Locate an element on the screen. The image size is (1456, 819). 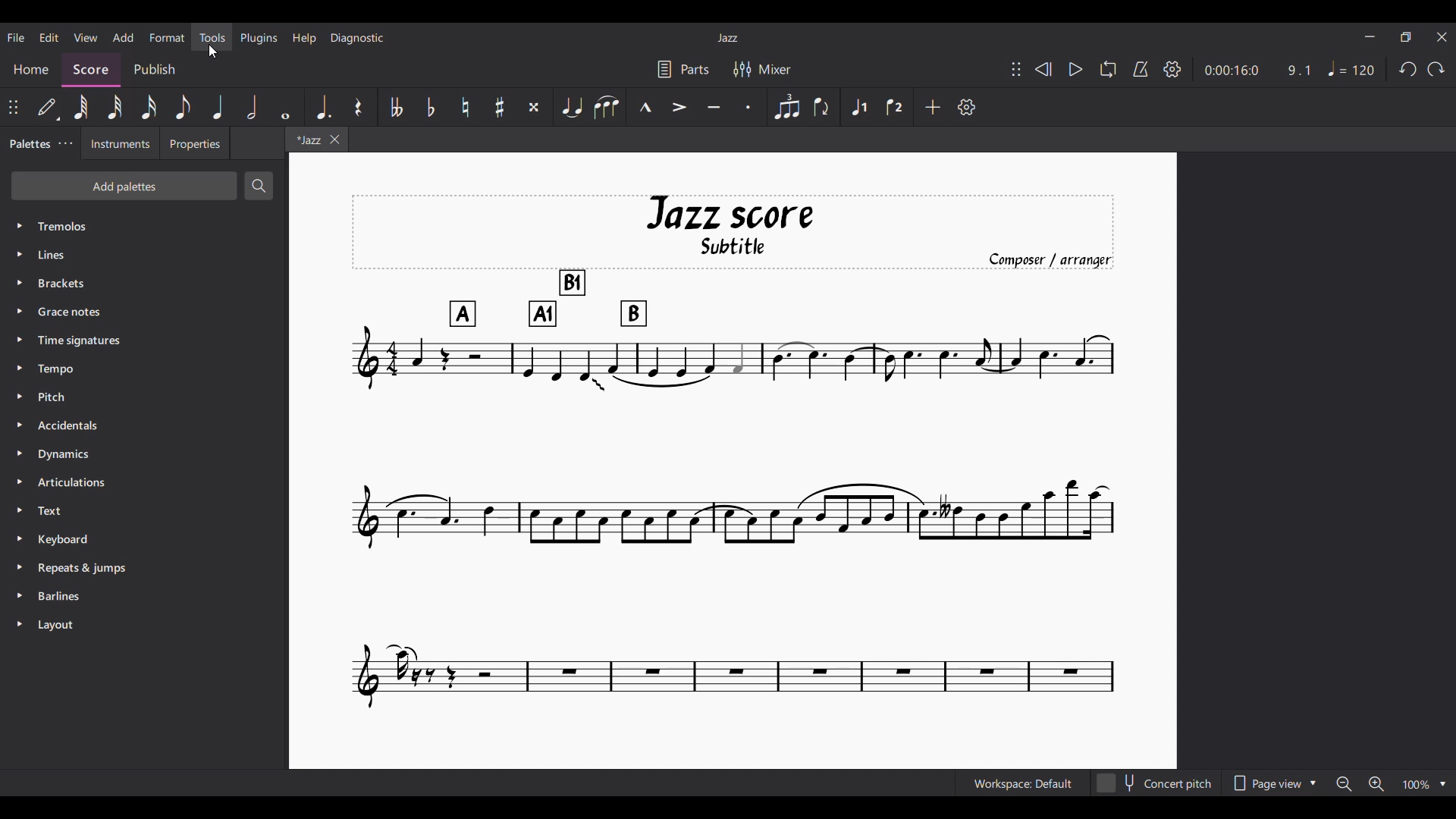
Format menu is located at coordinates (167, 37).